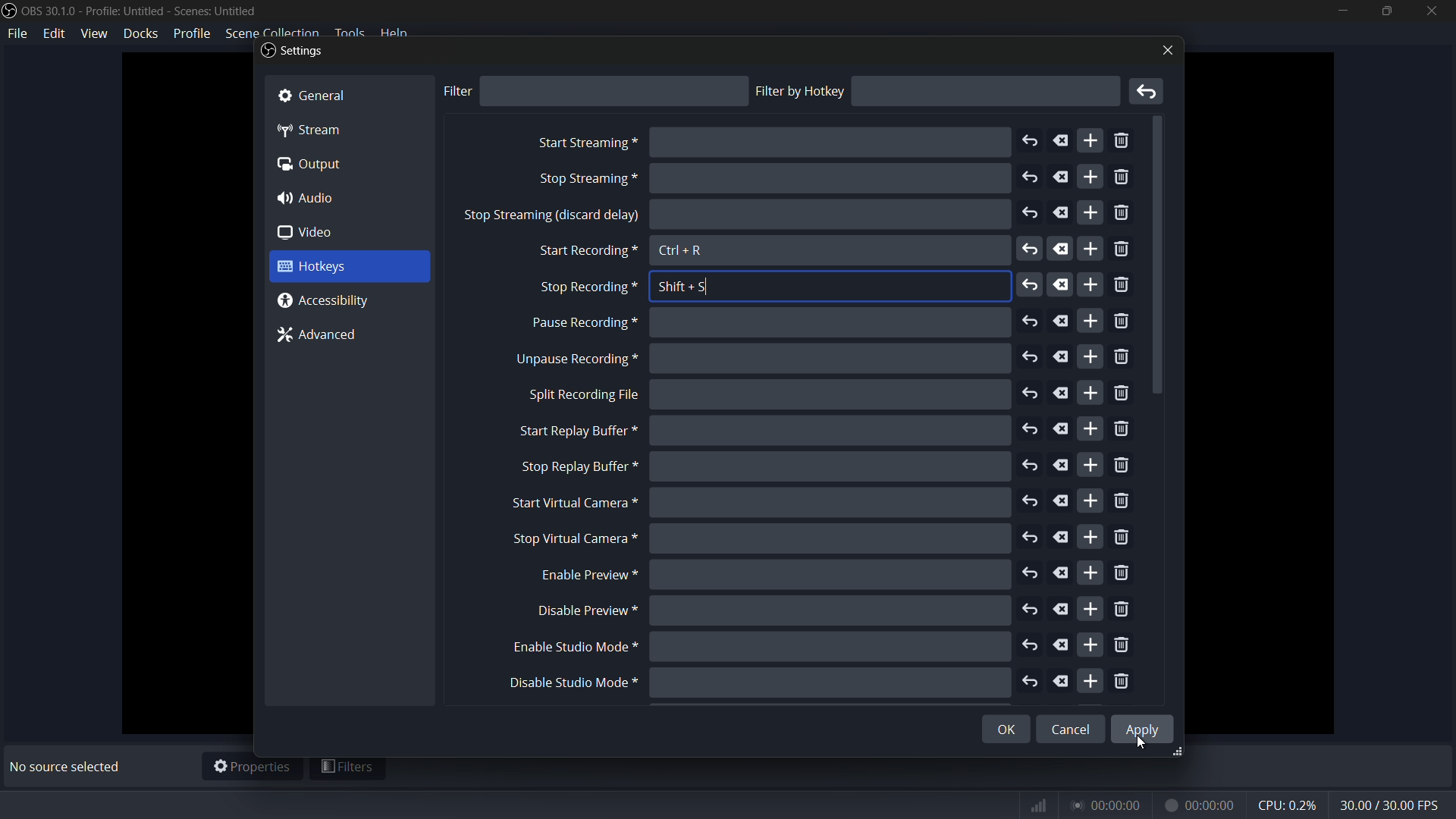 This screenshot has height=819, width=1456. Describe the element at coordinates (571, 648) in the screenshot. I see `enable studio mode` at that location.